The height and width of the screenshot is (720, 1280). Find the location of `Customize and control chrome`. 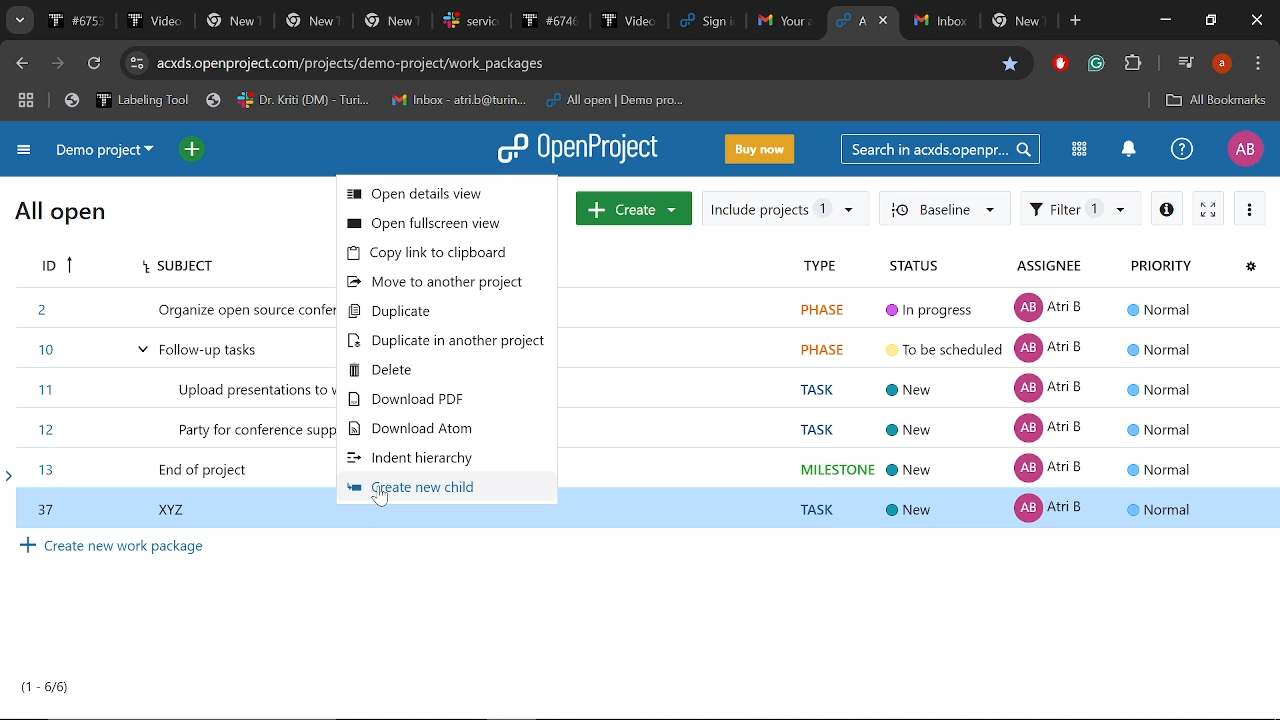

Customize and control chrome is located at coordinates (1258, 64).